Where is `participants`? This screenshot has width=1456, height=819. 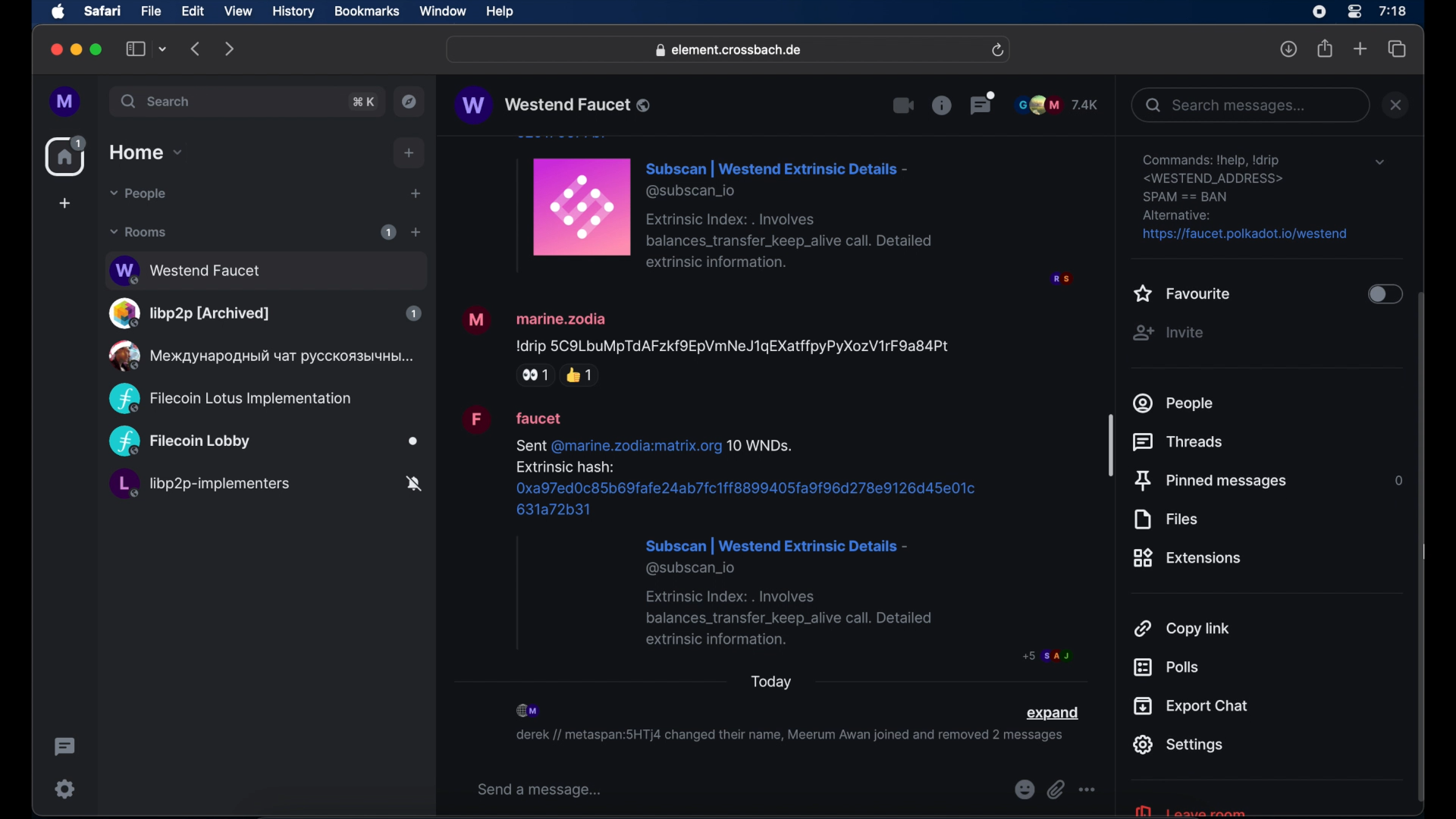 participants is located at coordinates (1057, 105).